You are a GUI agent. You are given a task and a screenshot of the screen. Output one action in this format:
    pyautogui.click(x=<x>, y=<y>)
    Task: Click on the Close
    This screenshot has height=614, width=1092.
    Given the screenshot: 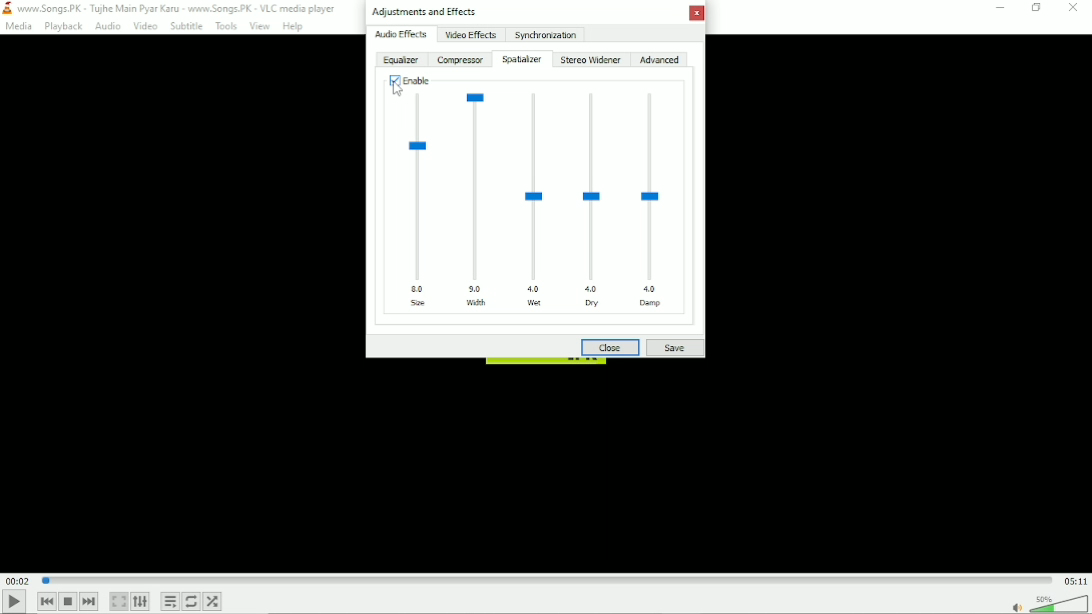 What is the action you would take?
    pyautogui.click(x=694, y=14)
    